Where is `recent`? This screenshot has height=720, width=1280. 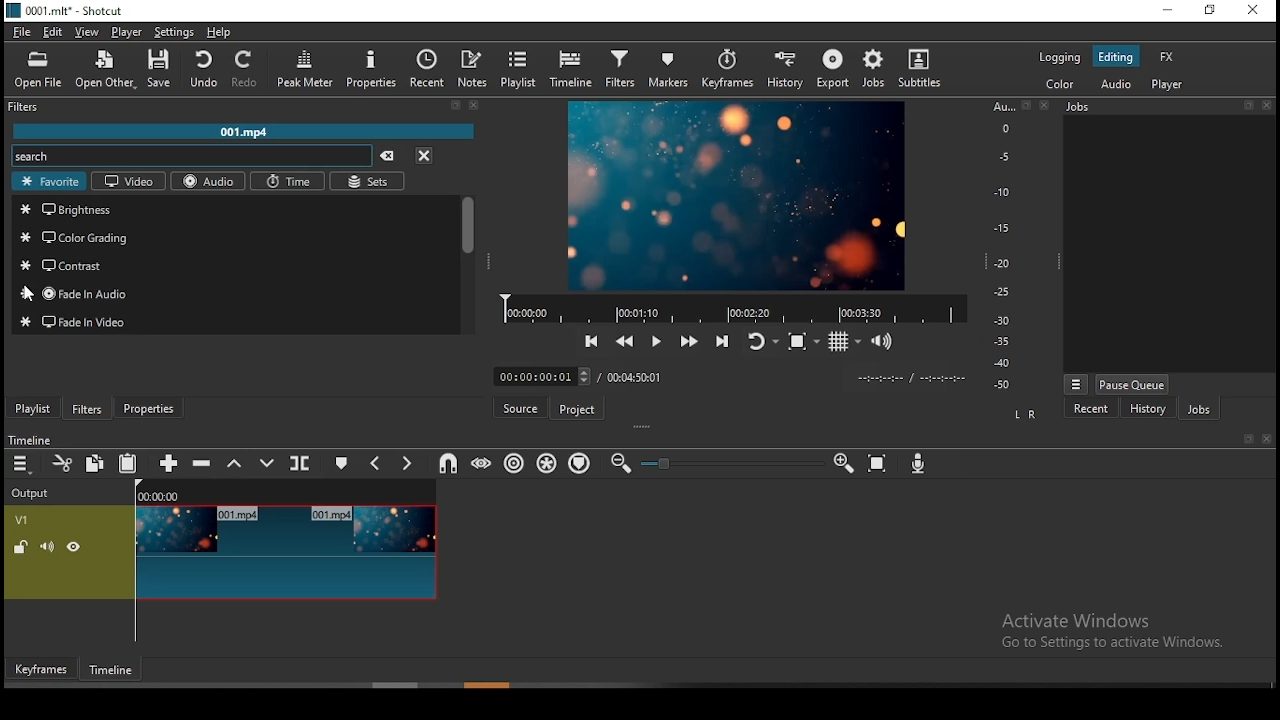 recent is located at coordinates (428, 68).